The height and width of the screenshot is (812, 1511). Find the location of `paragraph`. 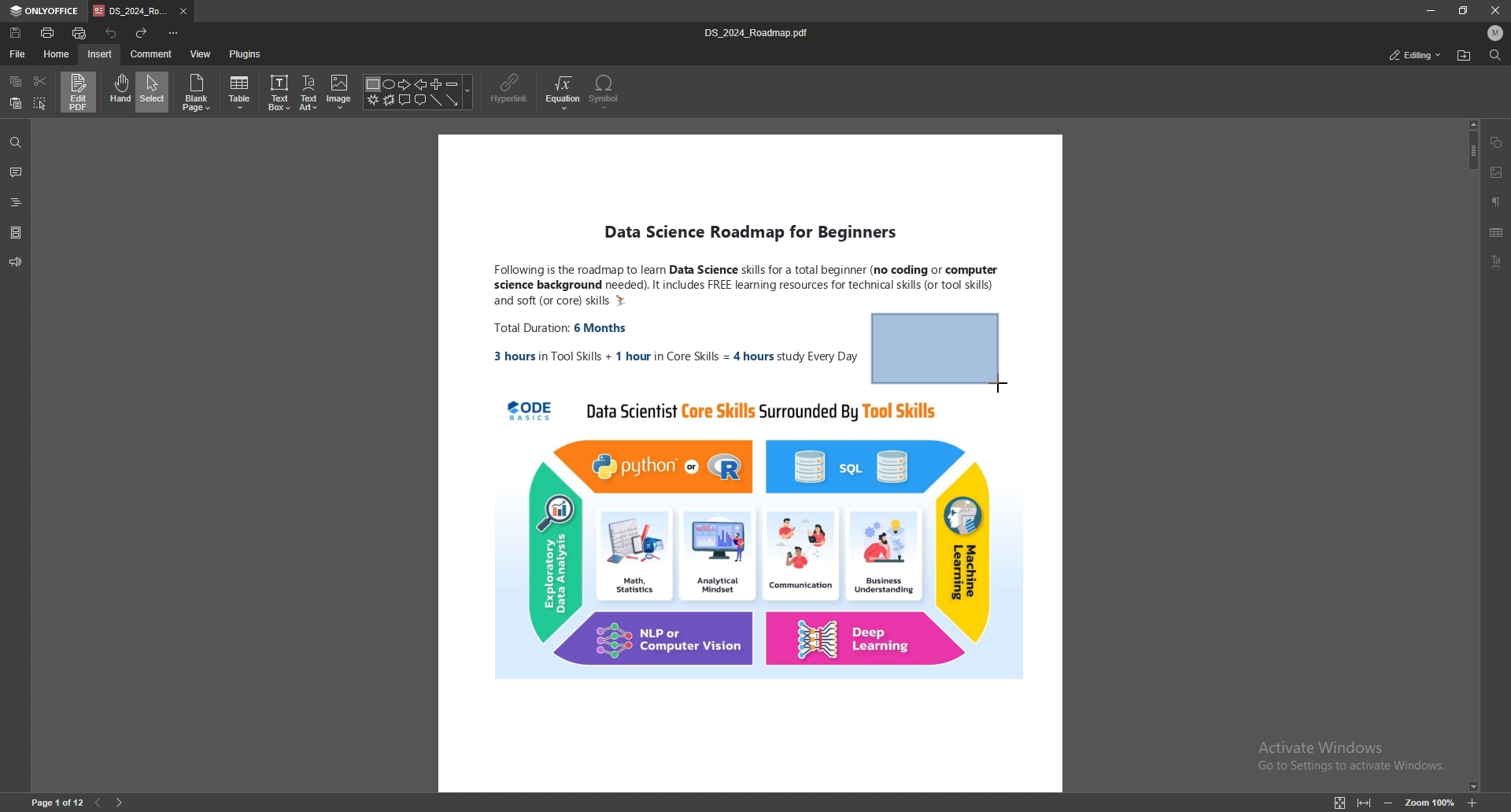

paragraph is located at coordinates (1497, 201).